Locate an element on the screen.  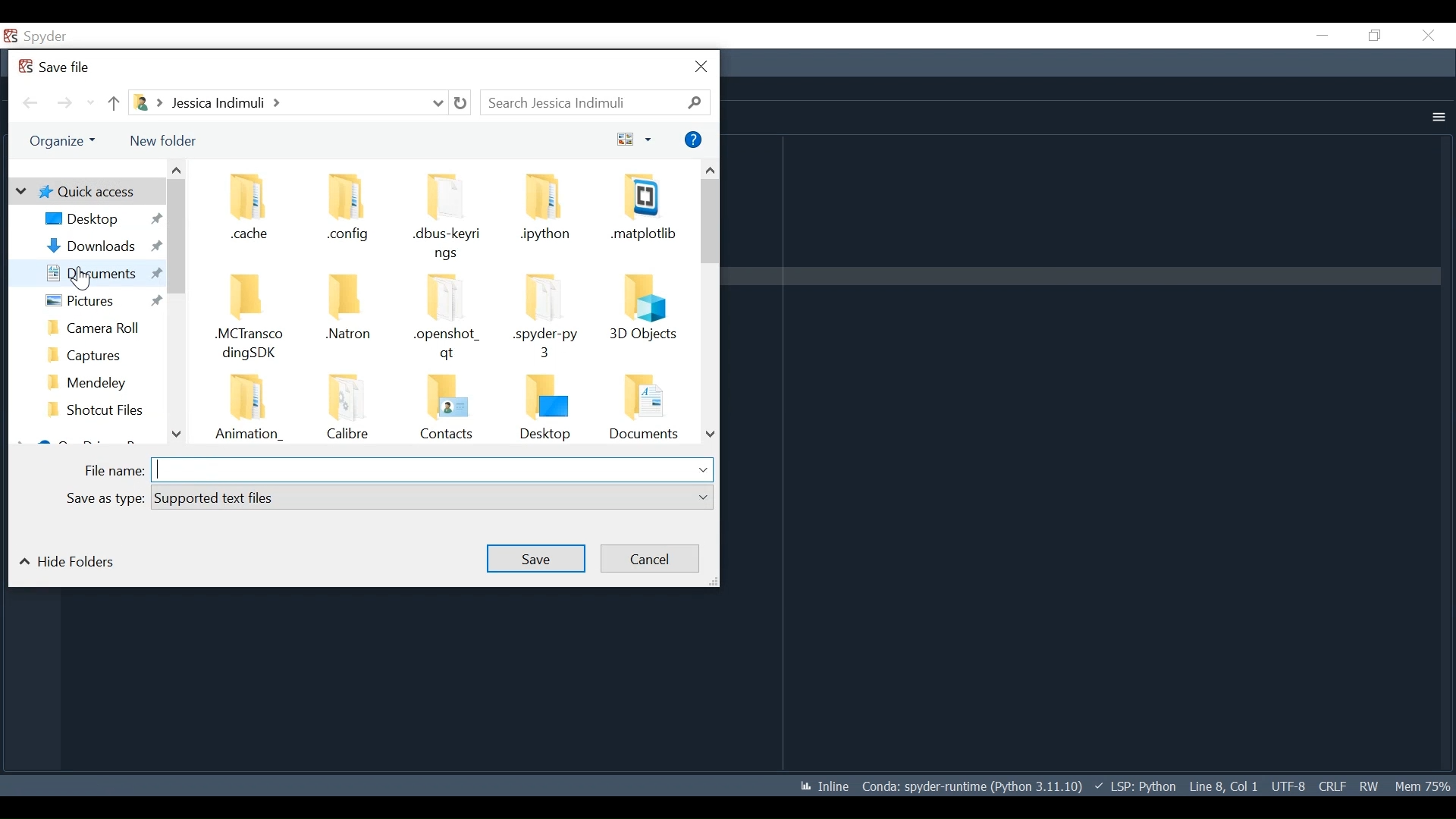
File Path is located at coordinates (286, 102).